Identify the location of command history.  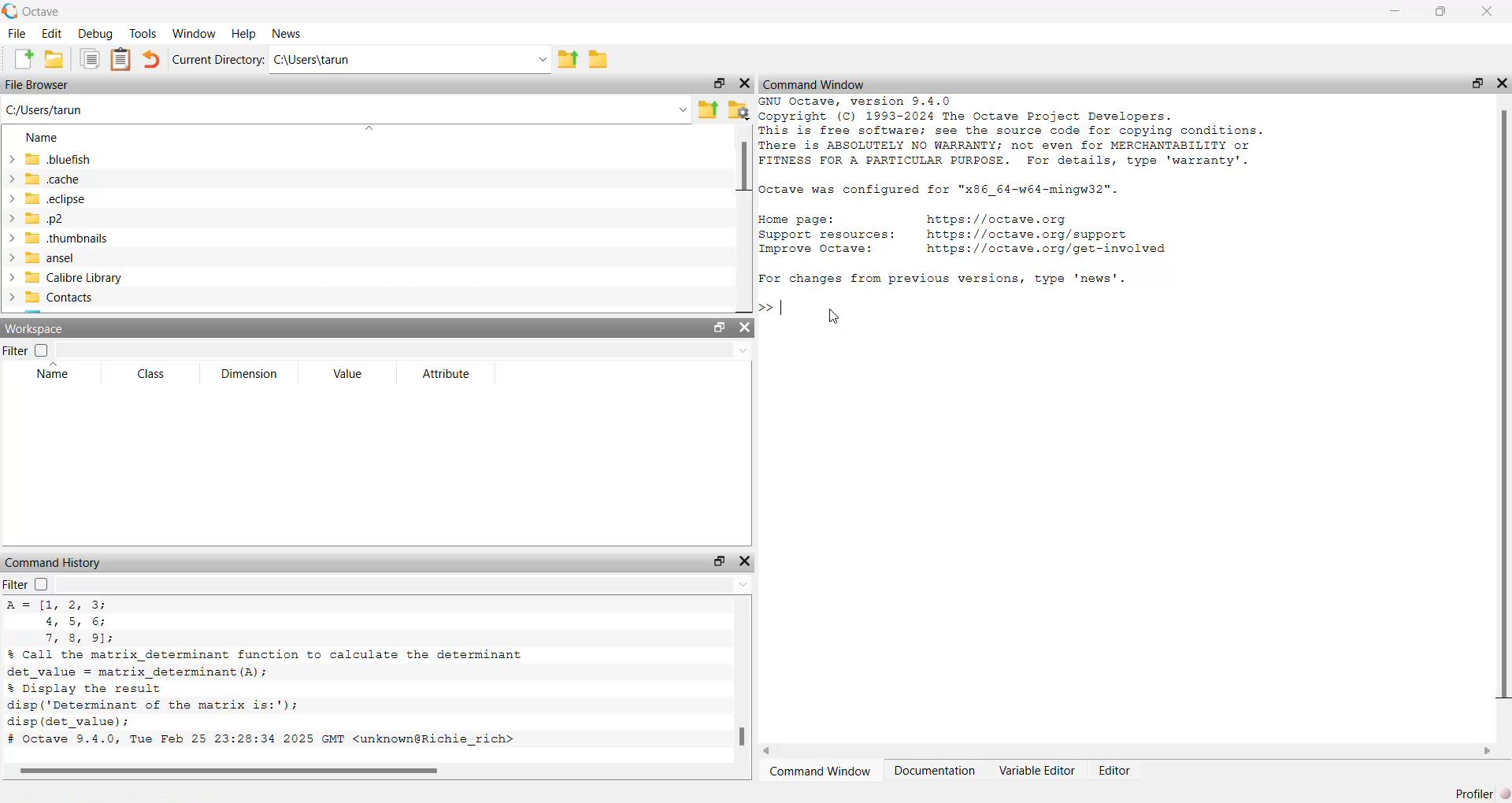
(58, 564).